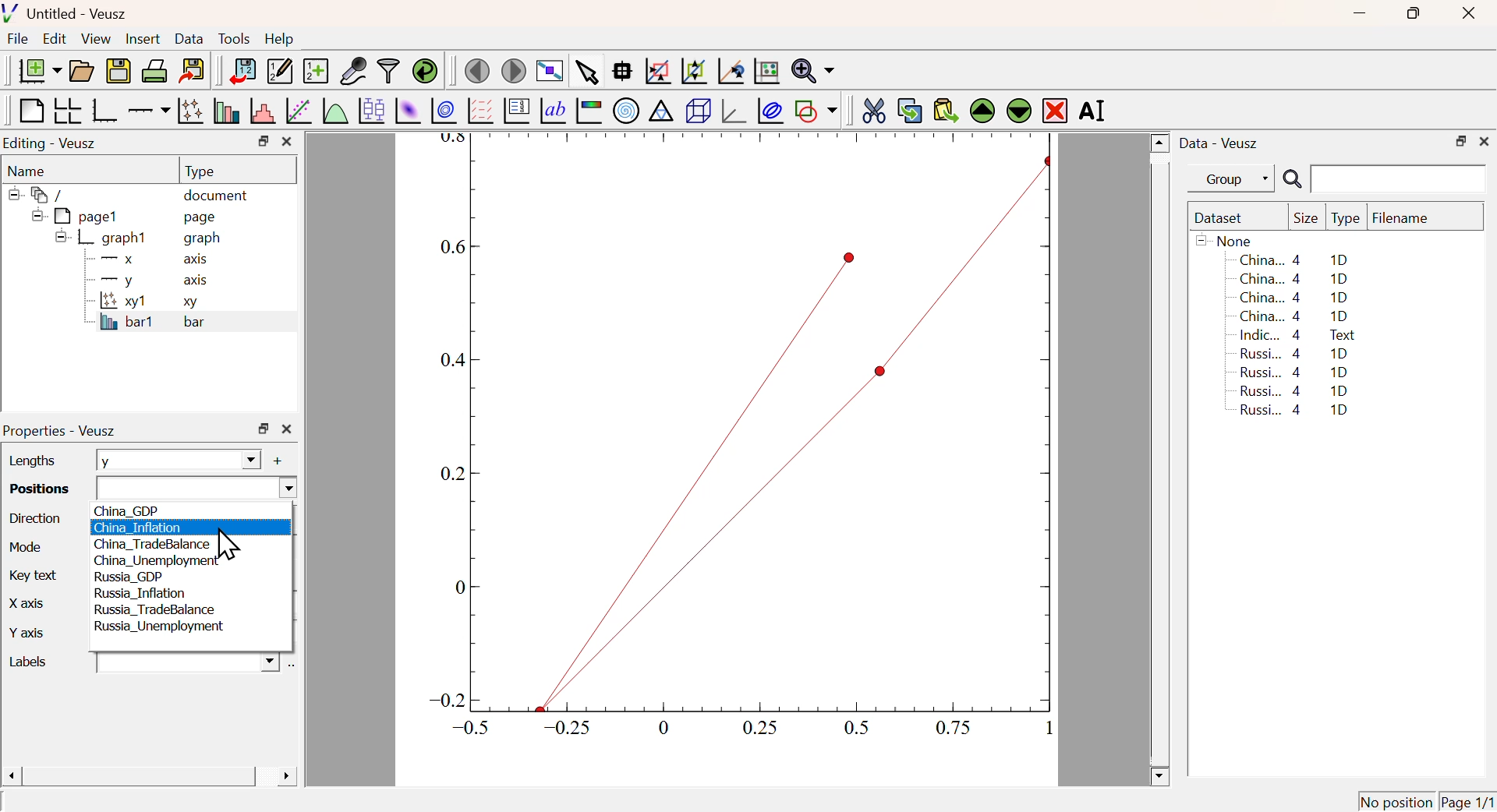  Describe the element at coordinates (909, 111) in the screenshot. I see `Copy` at that location.